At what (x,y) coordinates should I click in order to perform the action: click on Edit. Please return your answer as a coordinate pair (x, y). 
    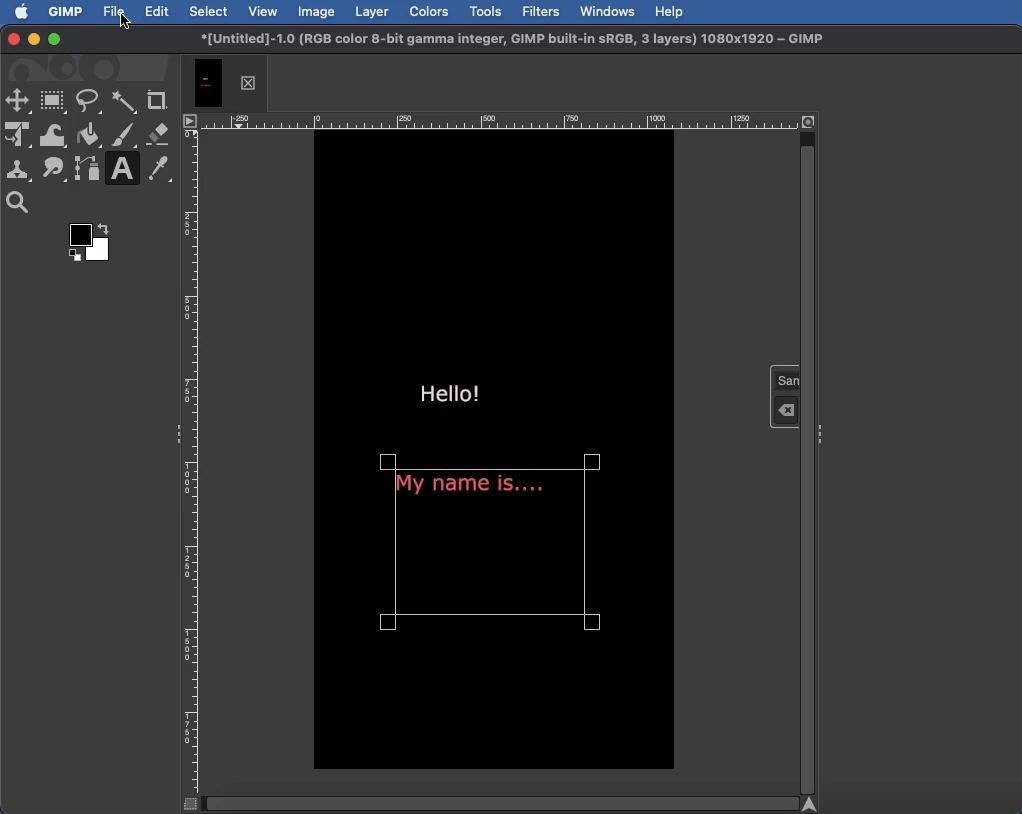
    Looking at the image, I should click on (158, 11).